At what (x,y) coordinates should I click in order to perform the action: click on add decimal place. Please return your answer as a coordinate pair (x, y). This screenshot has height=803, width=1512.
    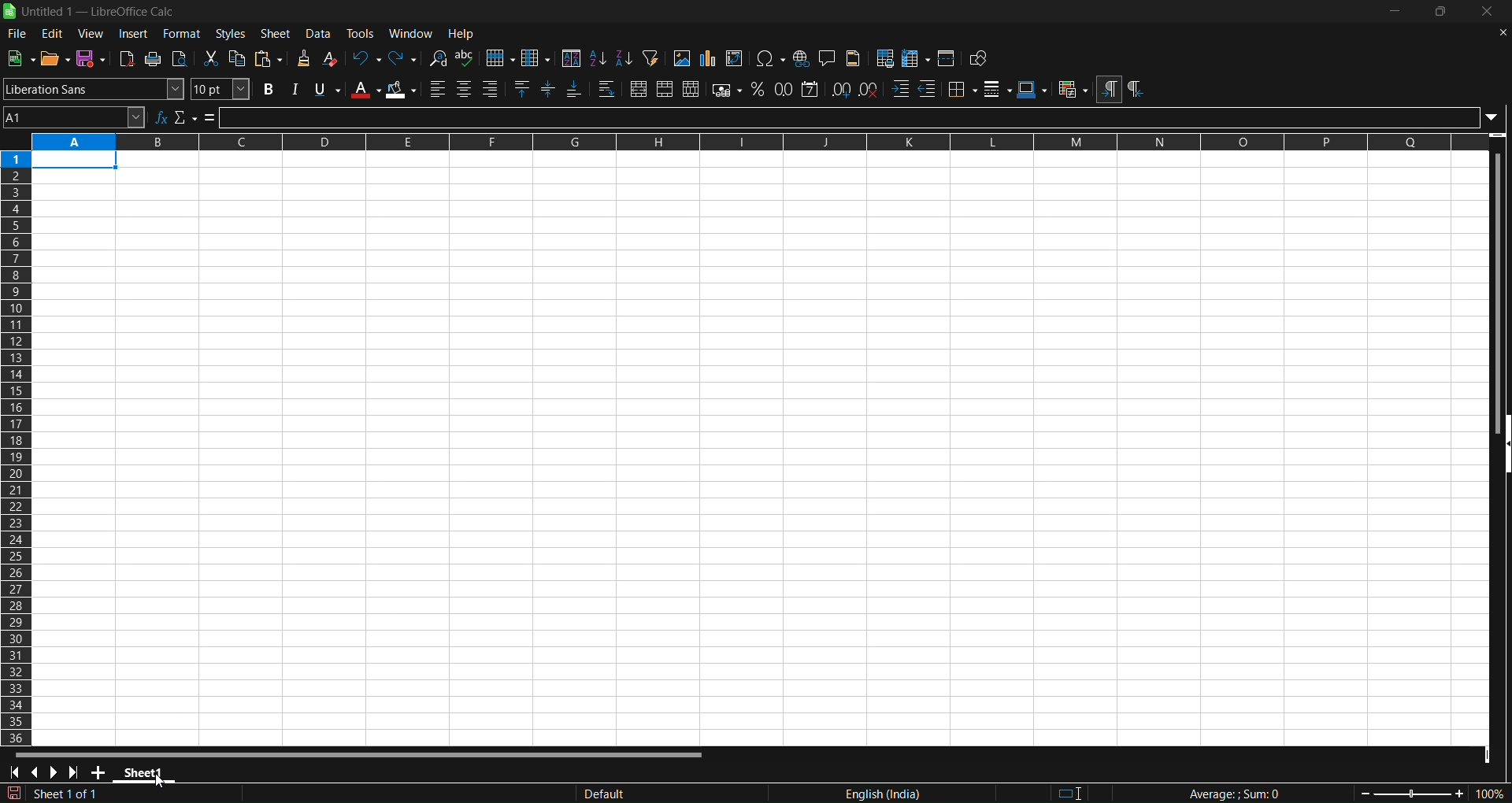
    Looking at the image, I should click on (843, 88).